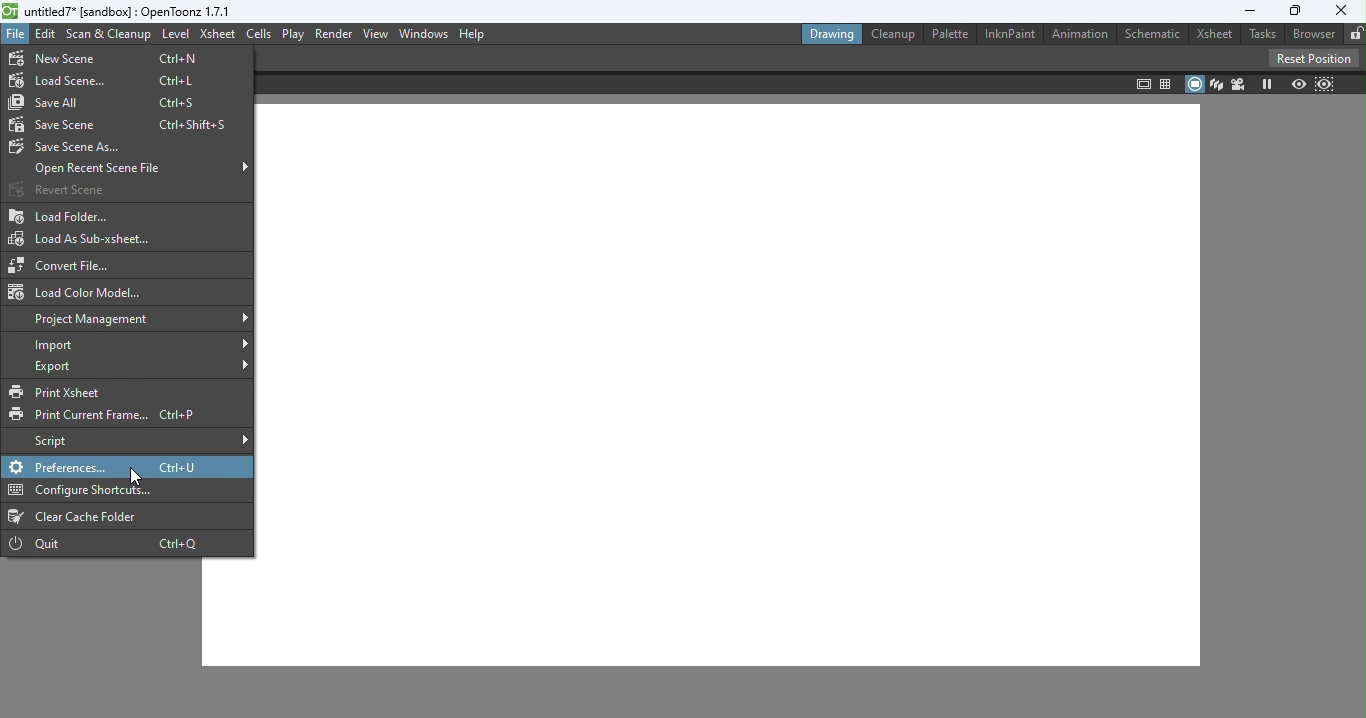 The height and width of the screenshot is (718, 1366). I want to click on Preferences, so click(62, 467).